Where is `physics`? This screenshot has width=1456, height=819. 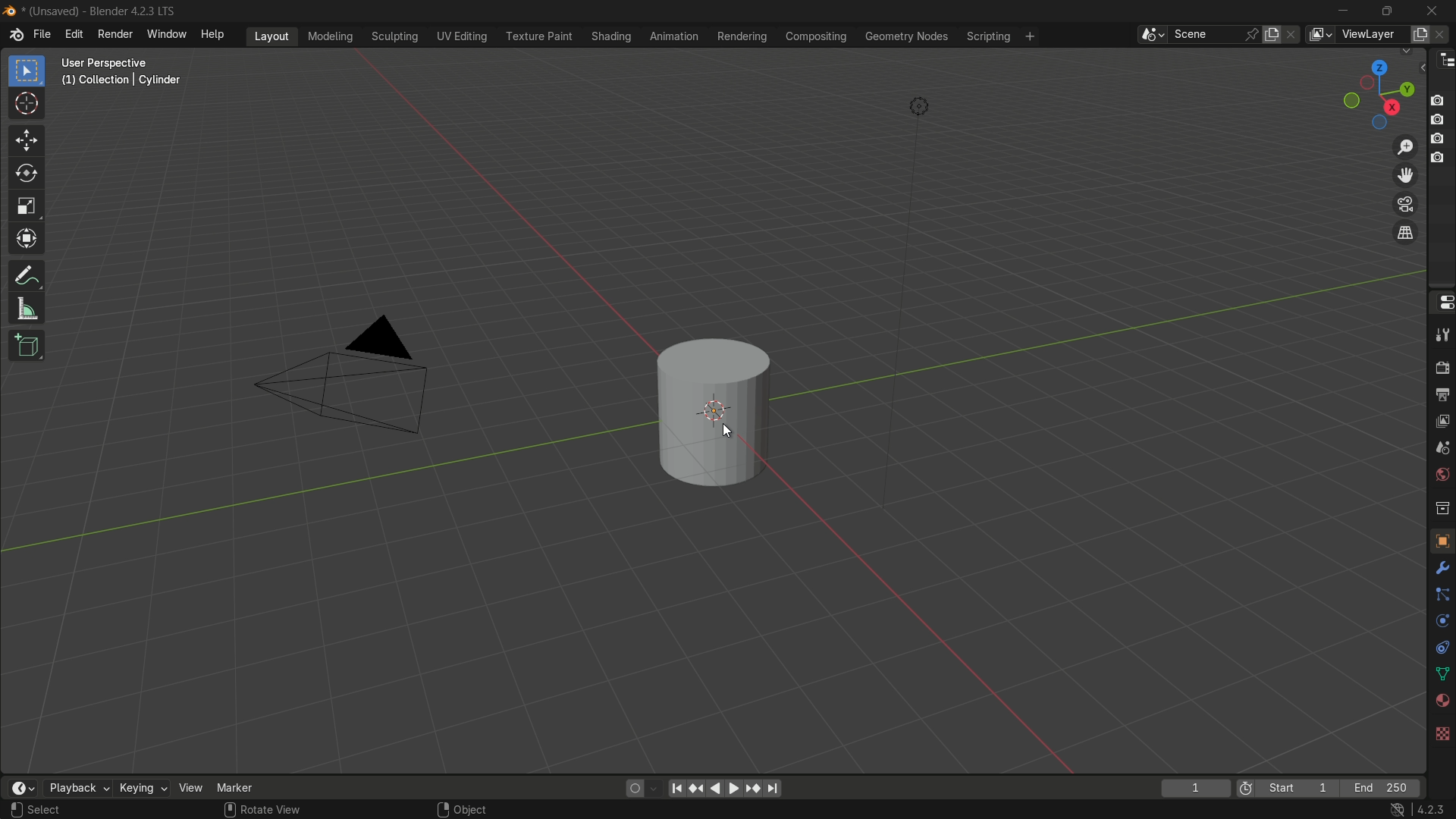 physics is located at coordinates (1441, 623).